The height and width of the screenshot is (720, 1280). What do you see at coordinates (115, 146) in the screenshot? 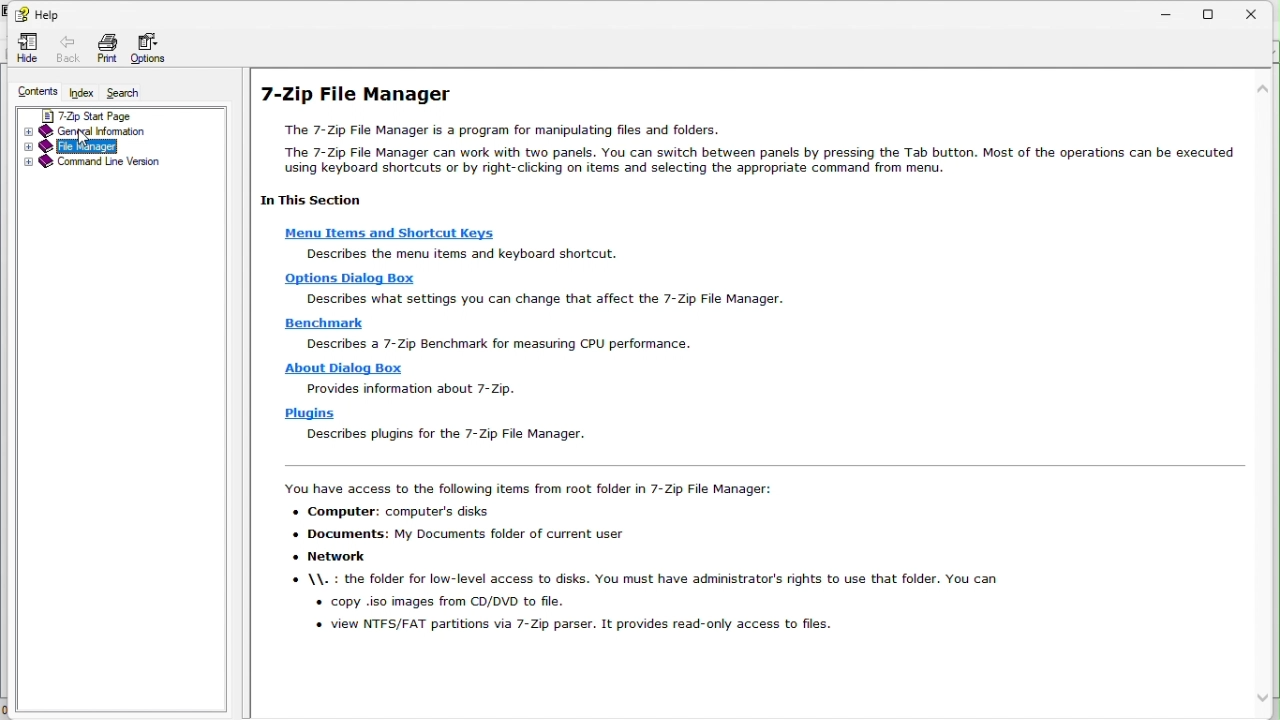
I see `File manager` at bounding box center [115, 146].